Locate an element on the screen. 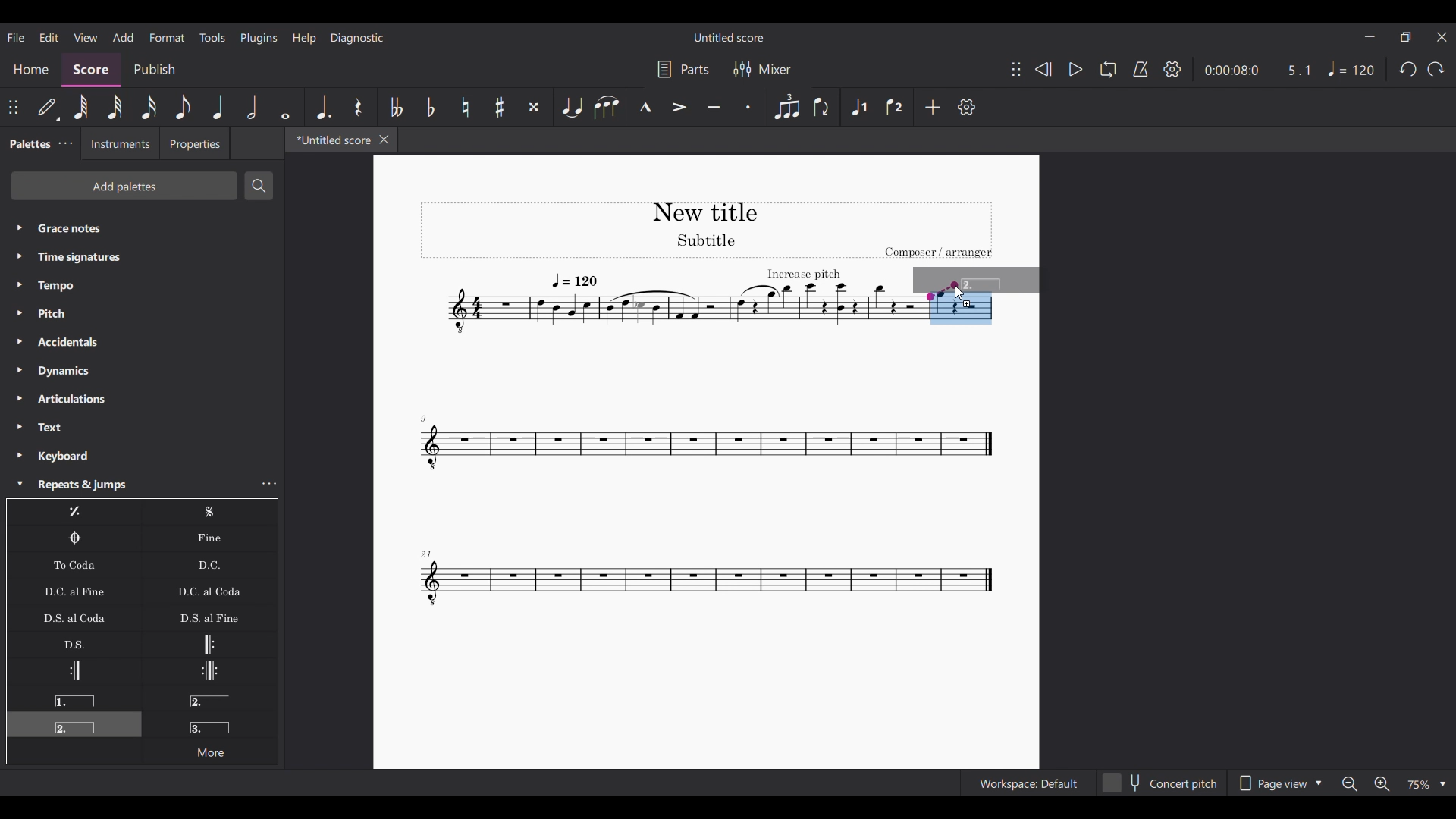 This screenshot has height=819, width=1456. 64th note is located at coordinates (80, 108).